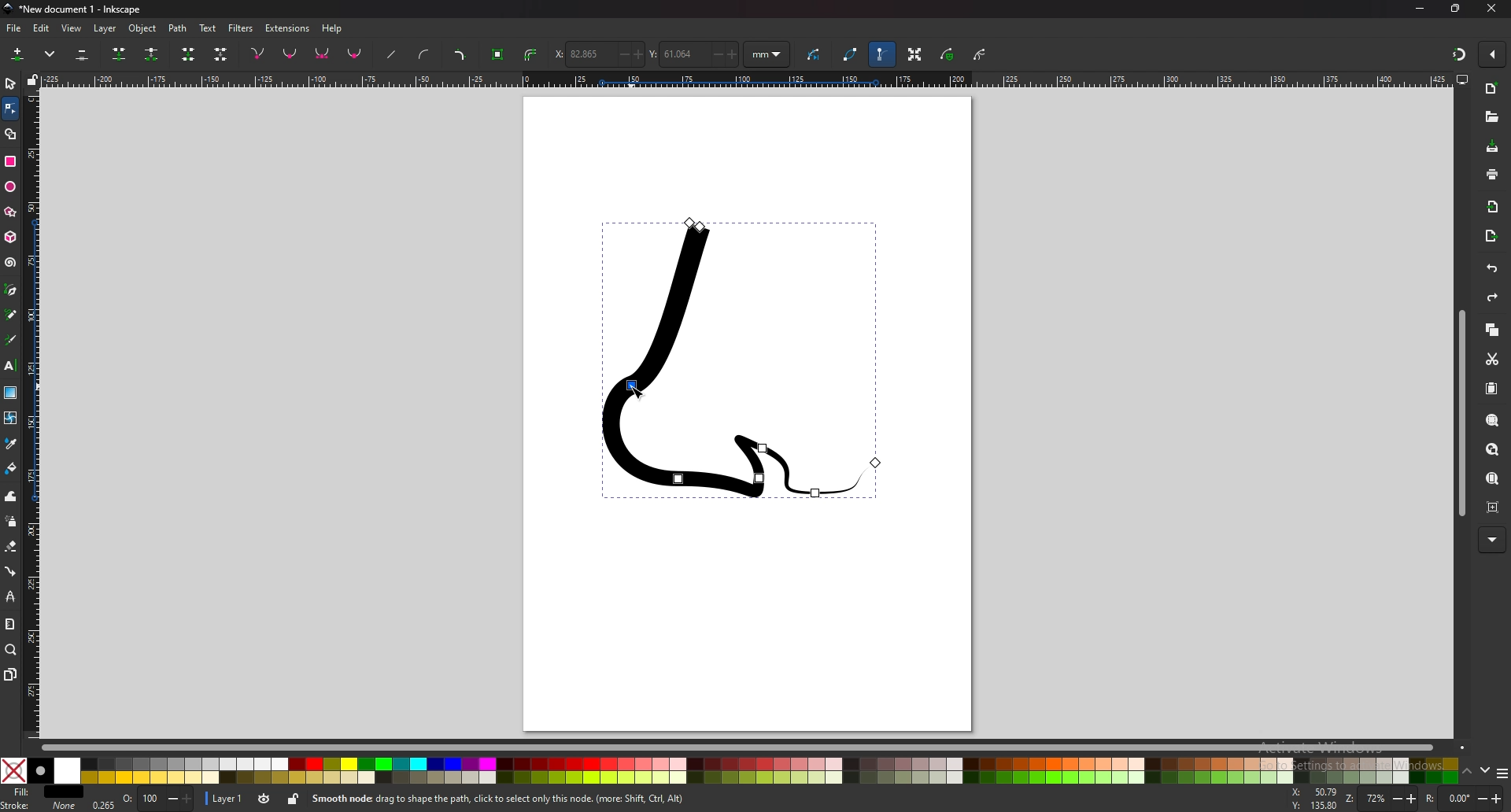  Describe the element at coordinates (1461, 413) in the screenshot. I see `scroll bar` at that location.